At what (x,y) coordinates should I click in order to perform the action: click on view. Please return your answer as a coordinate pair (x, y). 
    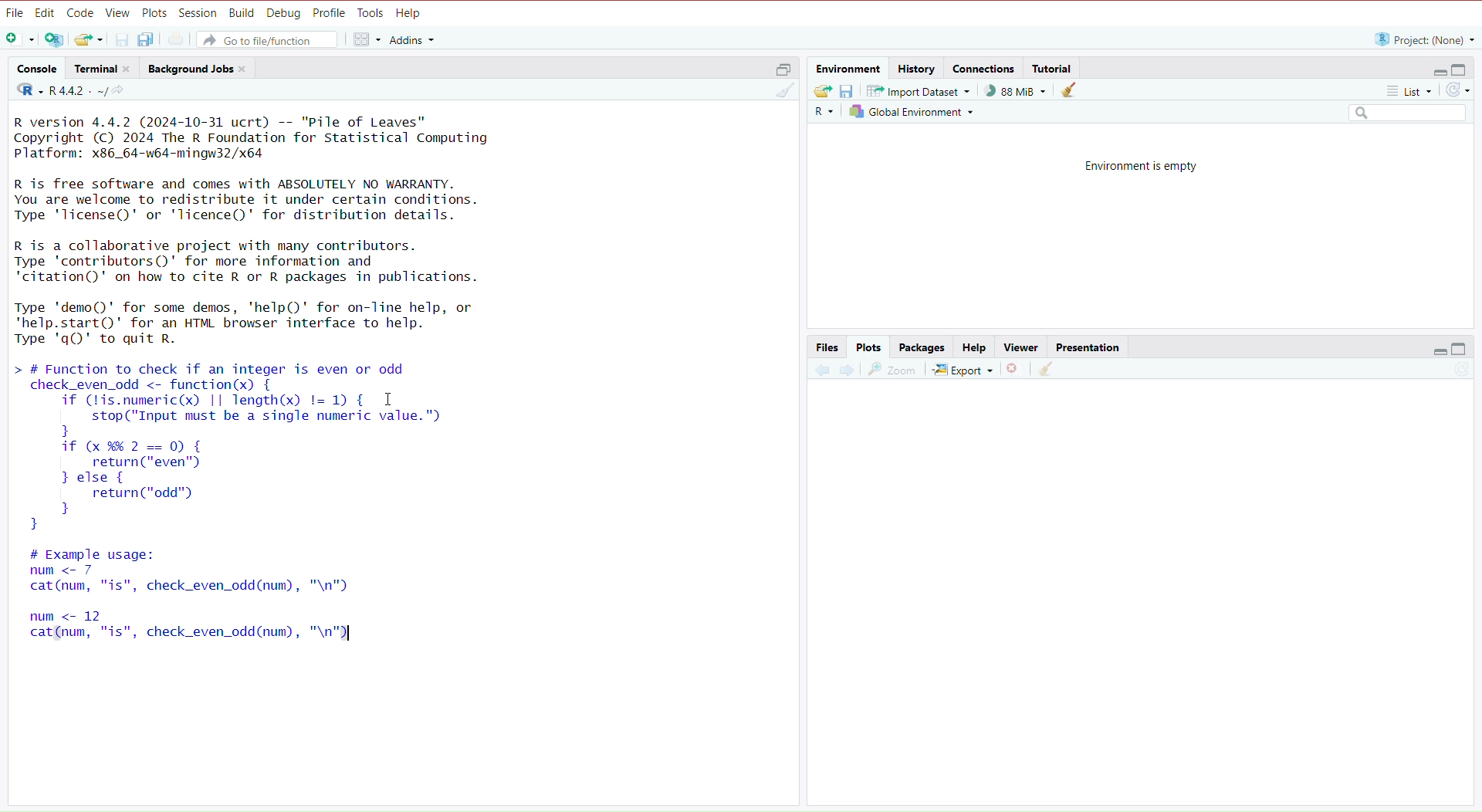
    Looking at the image, I should click on (1020, 347).